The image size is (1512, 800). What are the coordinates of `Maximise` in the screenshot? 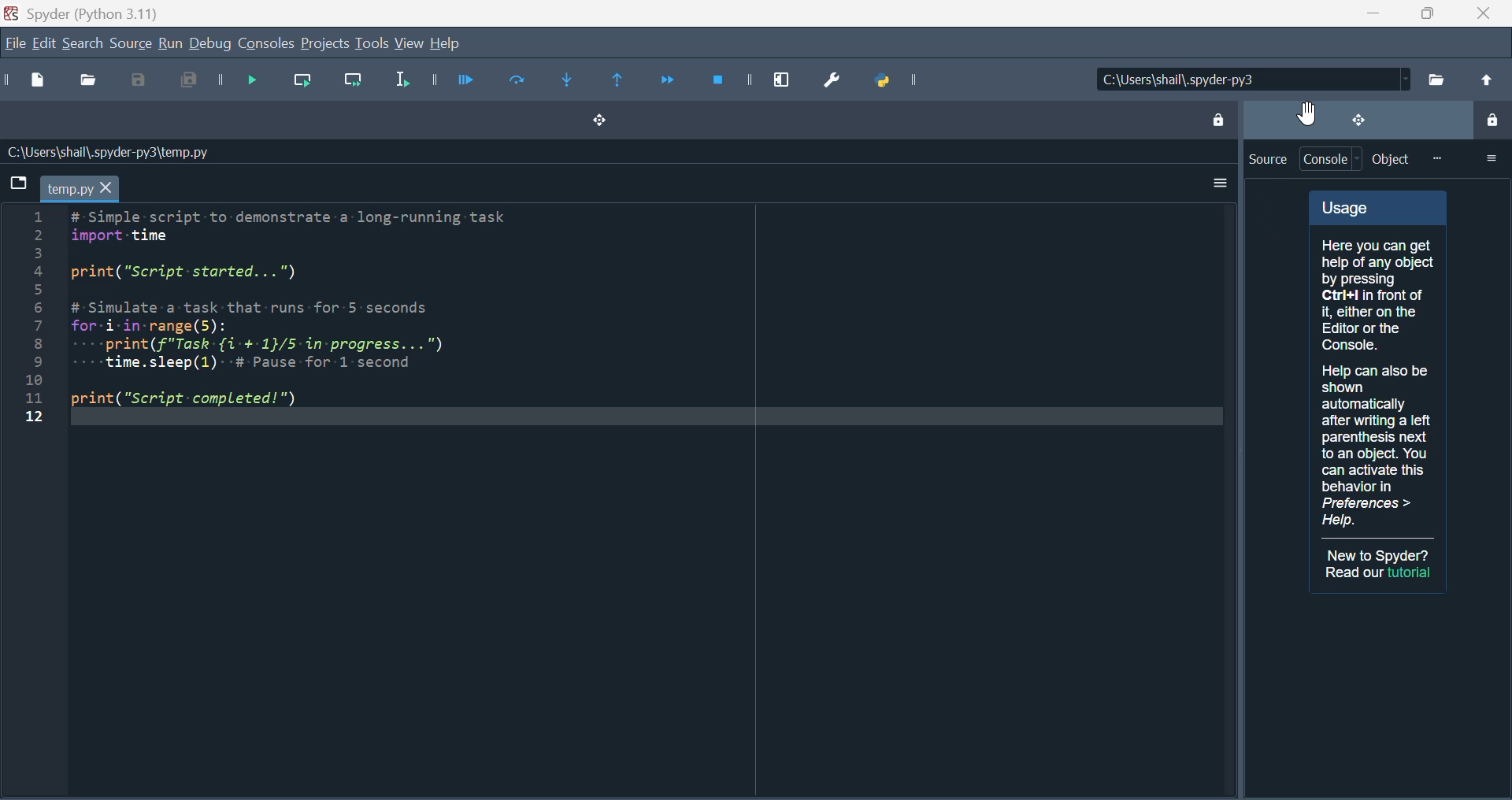 It's located at (1421, 13).